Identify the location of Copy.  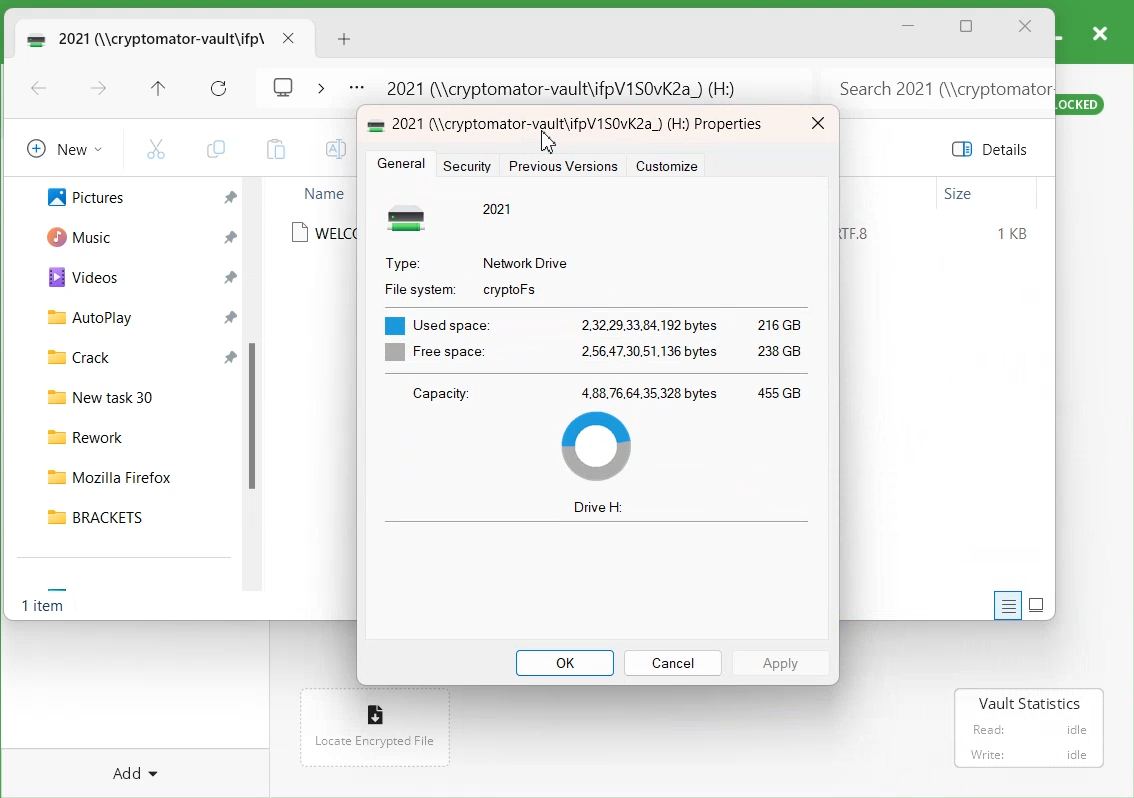
(215, 149).